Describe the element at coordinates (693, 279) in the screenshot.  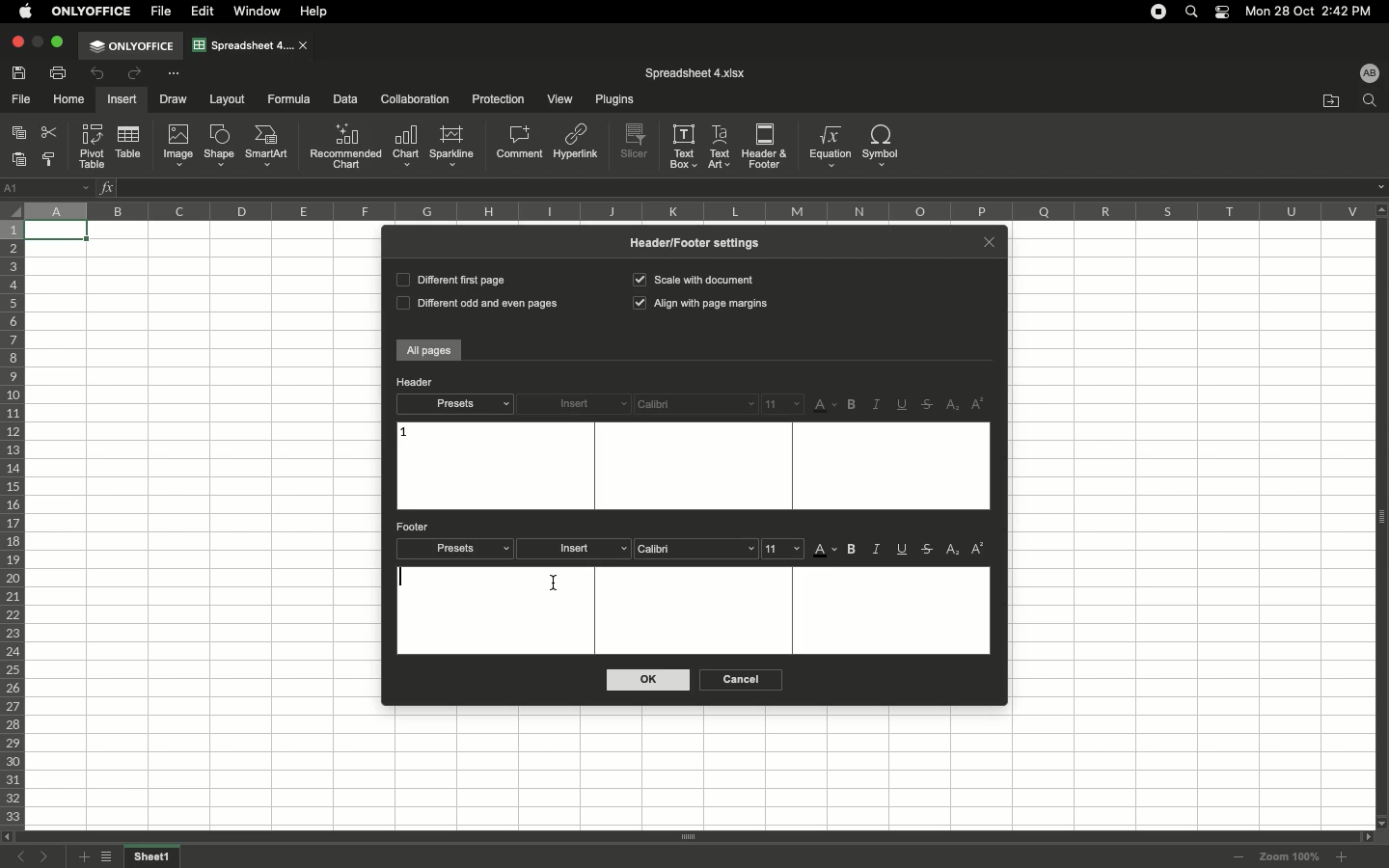
I see `Scale with document` at that location.